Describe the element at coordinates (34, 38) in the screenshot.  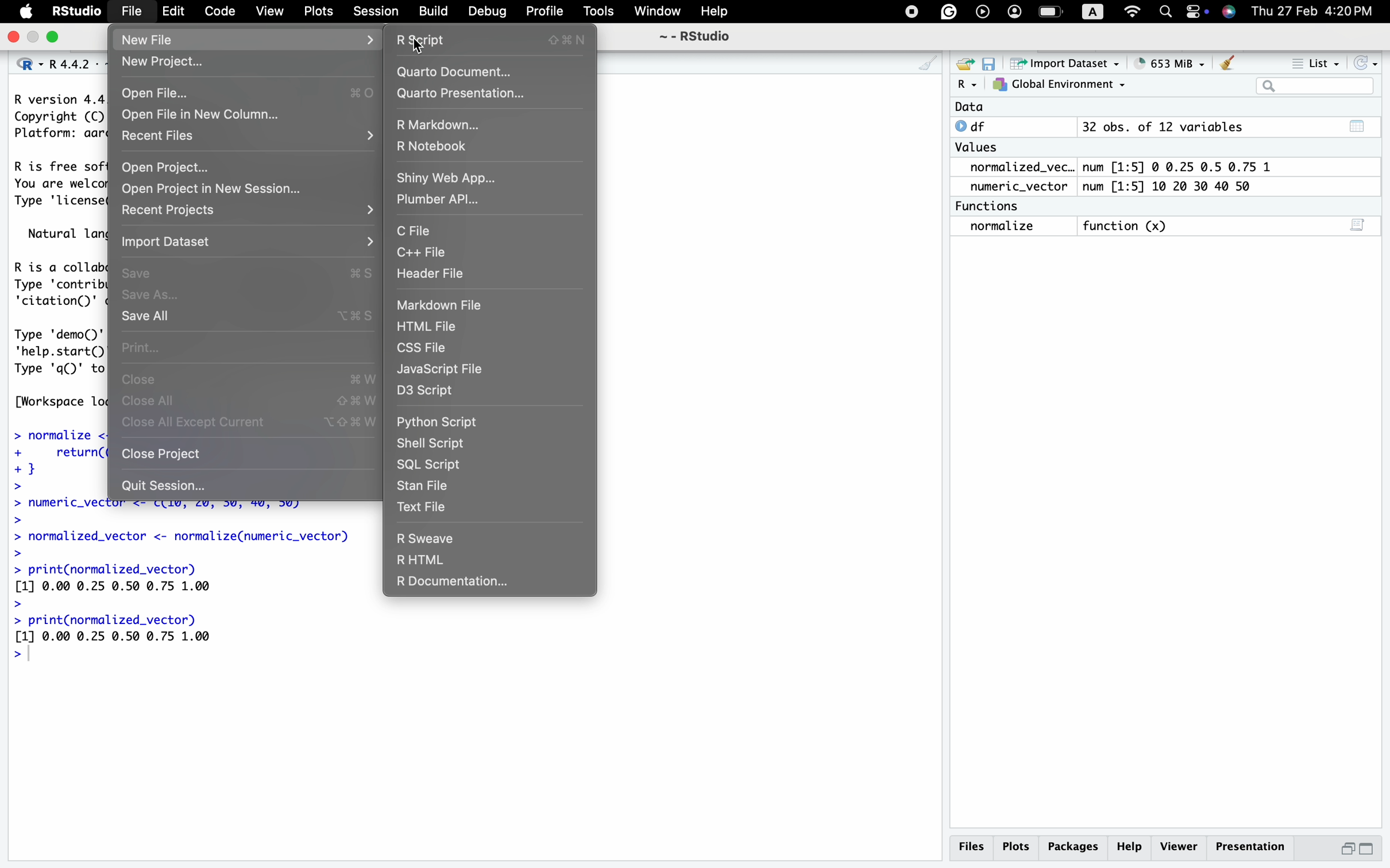
I see `Window controls` at that location.